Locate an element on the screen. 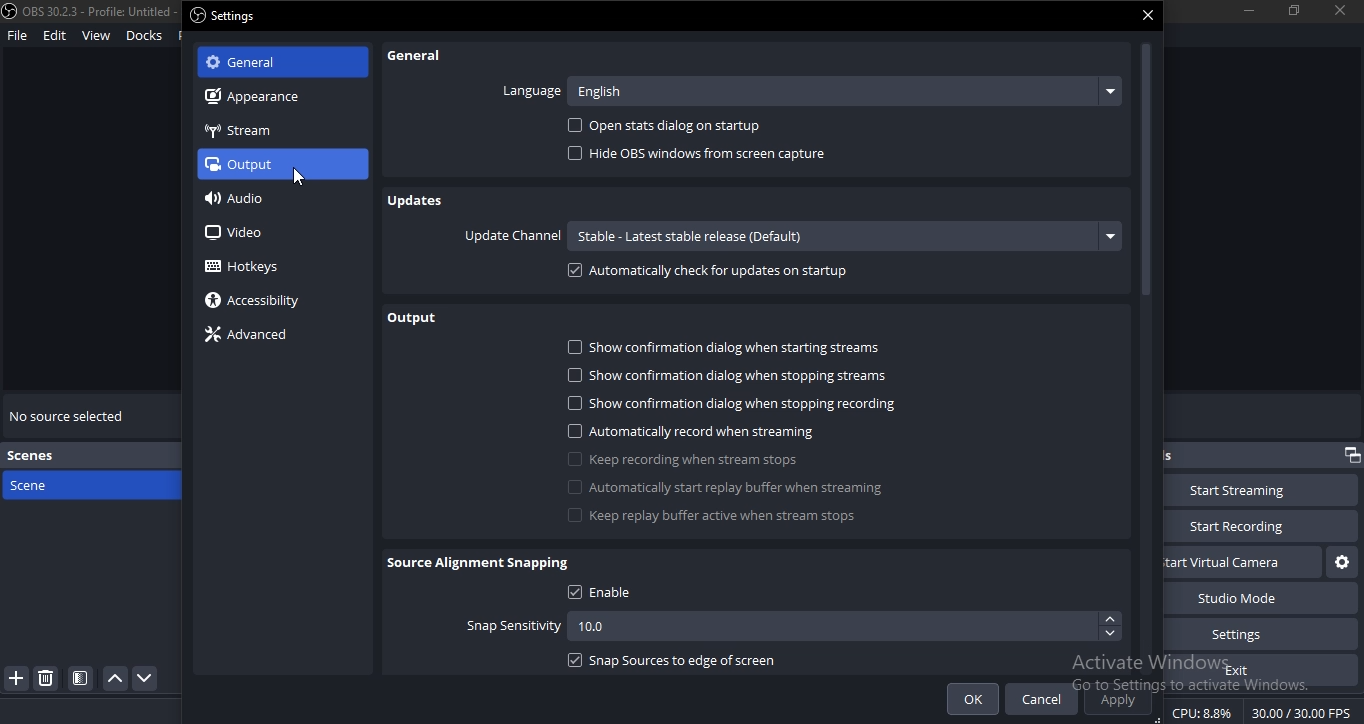 The image size is (1364, 724). file is located at coordinates (17, 37).